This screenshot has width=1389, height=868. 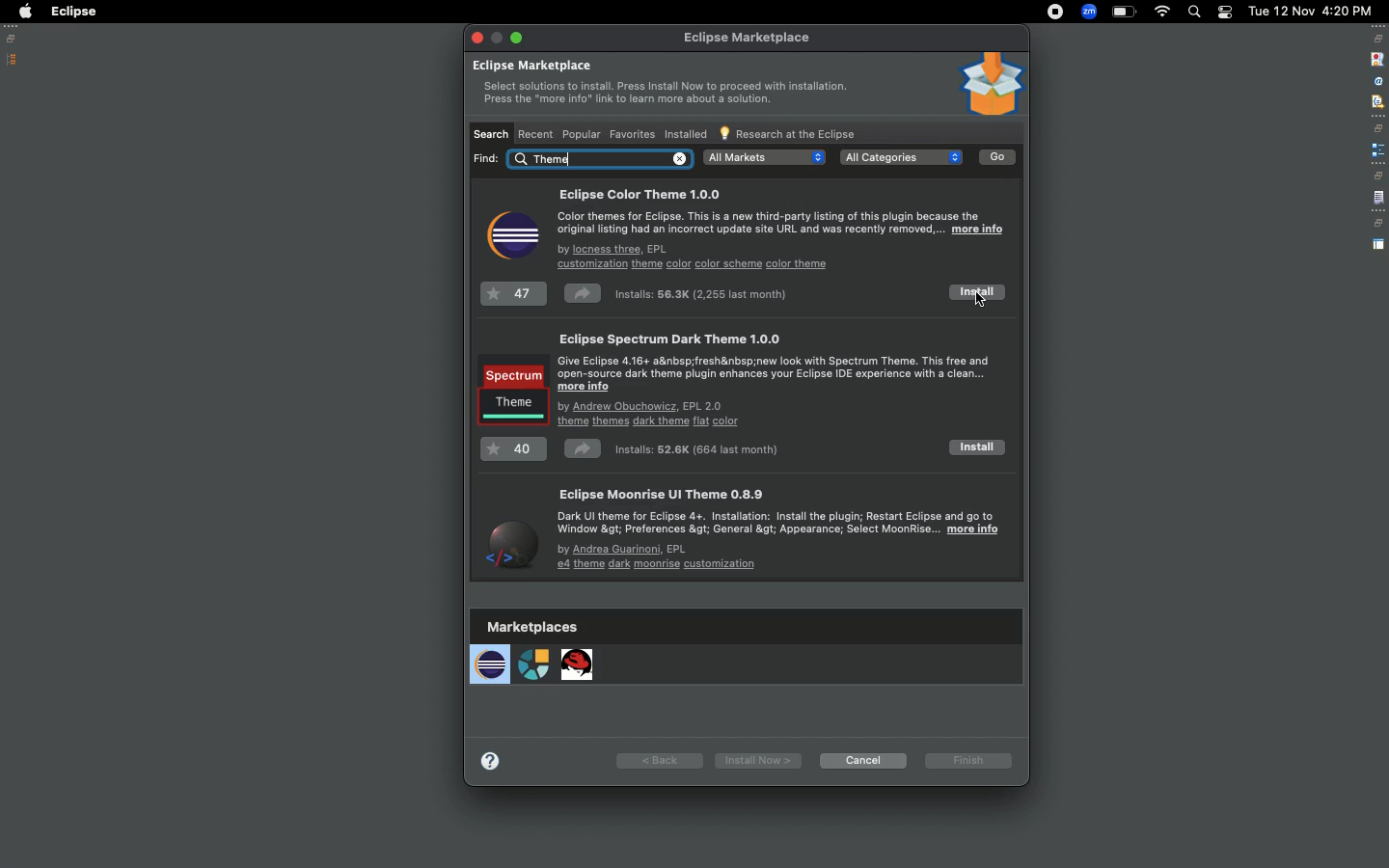 I want to click on Cancel, so click(x=860, y=760).